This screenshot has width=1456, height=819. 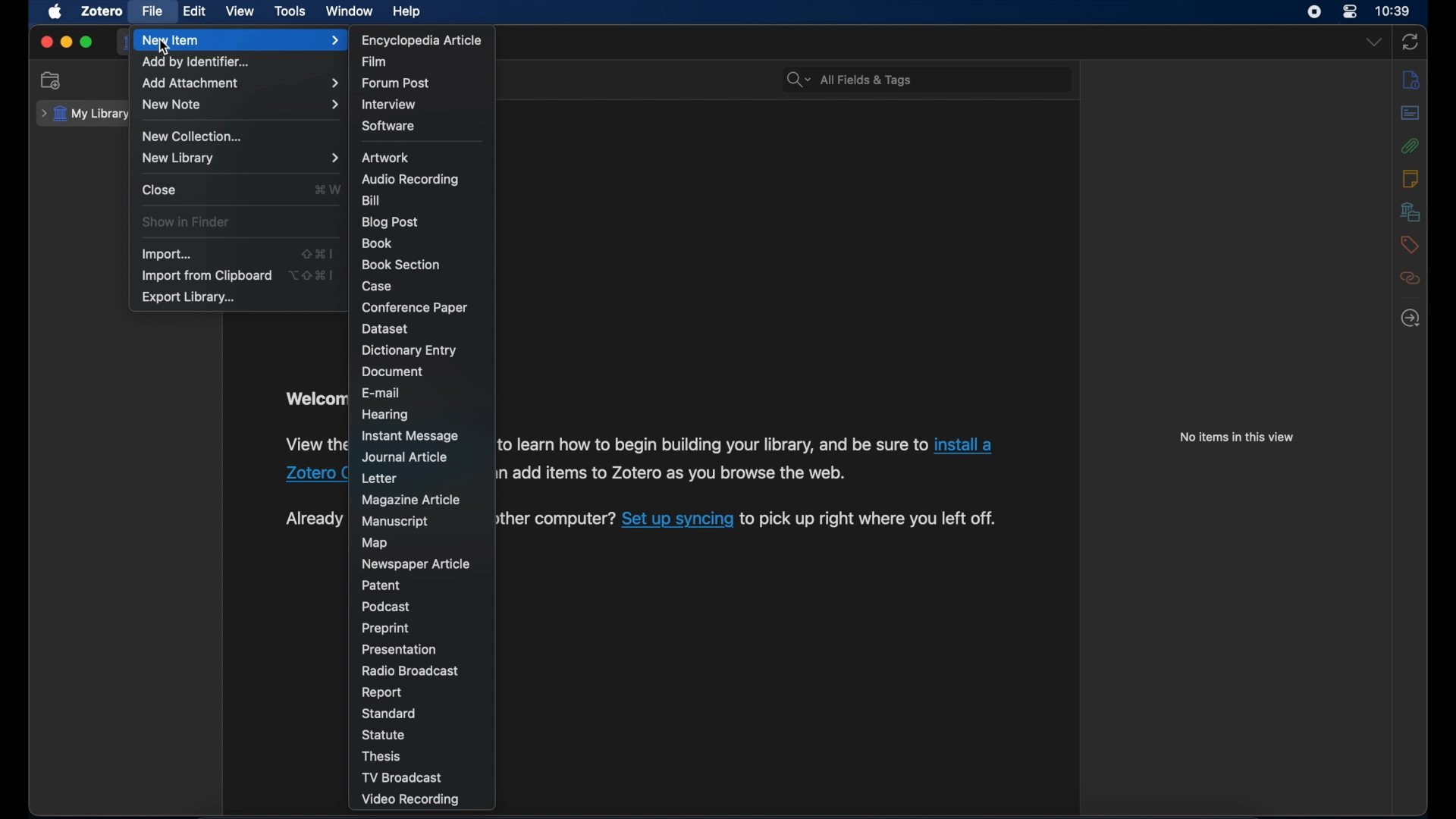 What do you see at coordinates (385, 734) in the screenshot?
I see `statue` at bounding box center [385, 734].